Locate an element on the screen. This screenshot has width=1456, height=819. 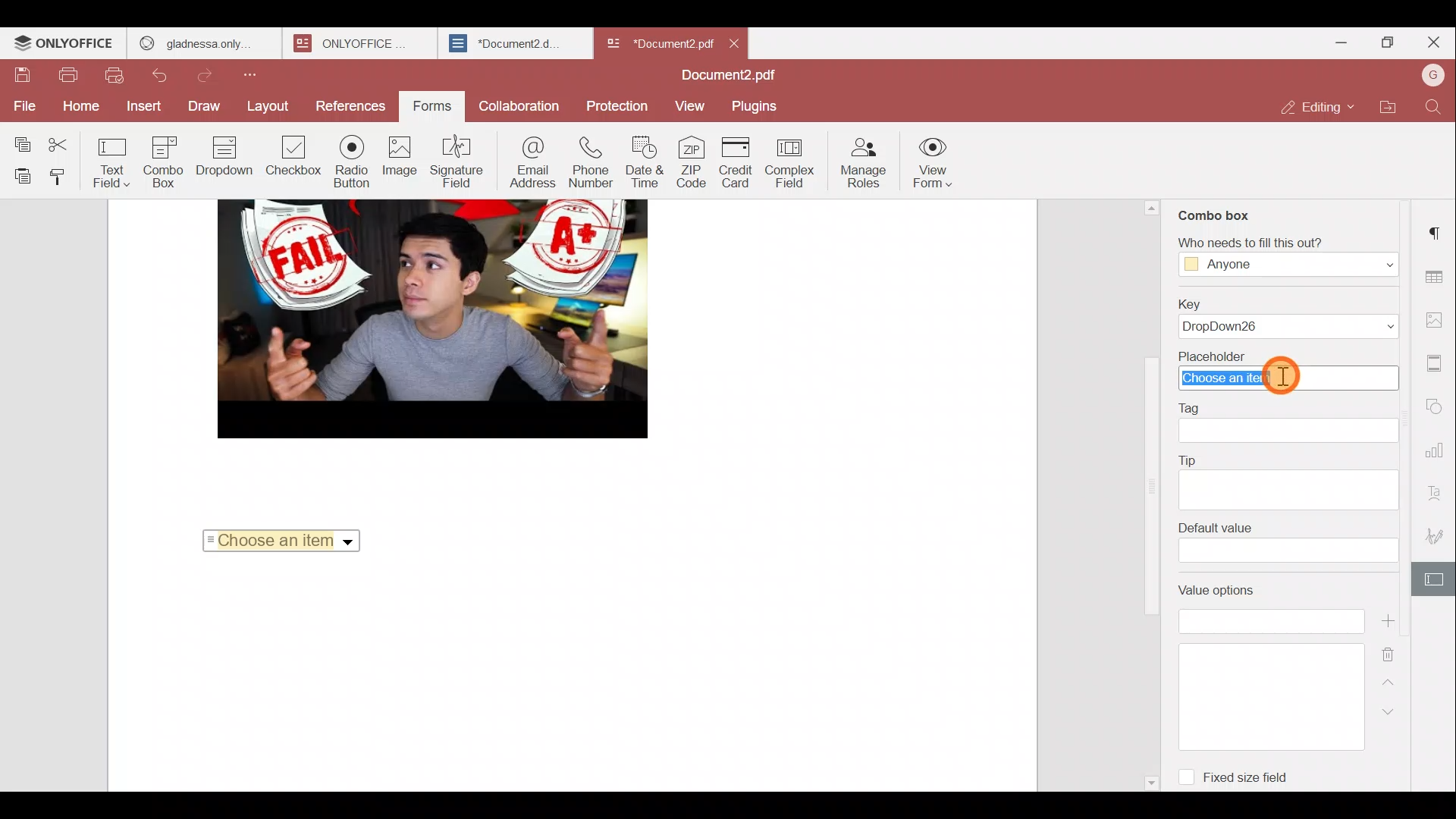
Collaboration is located at coordinates (518, 105).